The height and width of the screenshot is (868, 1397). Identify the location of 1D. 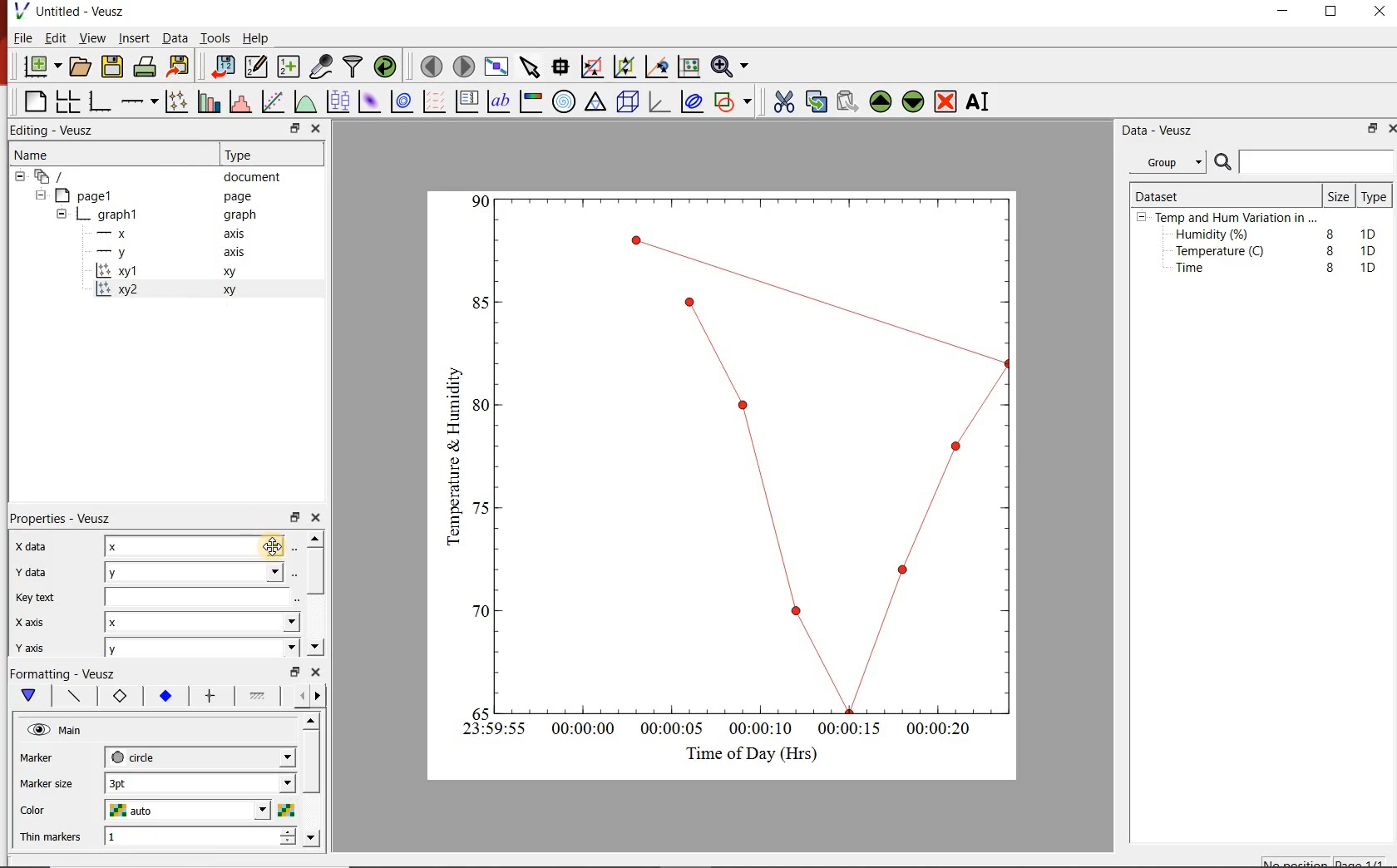
(1368, 267).